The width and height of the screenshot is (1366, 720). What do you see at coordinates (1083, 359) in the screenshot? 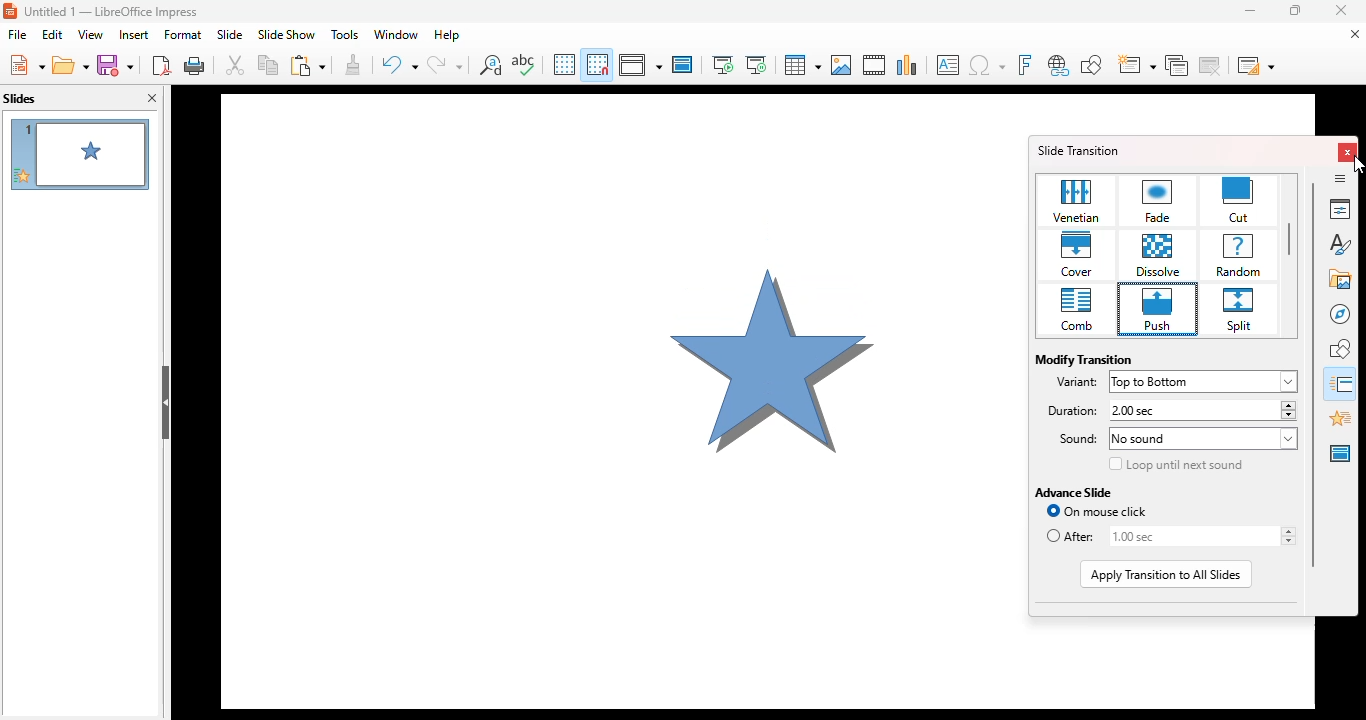
I see `modify transition` at bounding box center [1083, 359].